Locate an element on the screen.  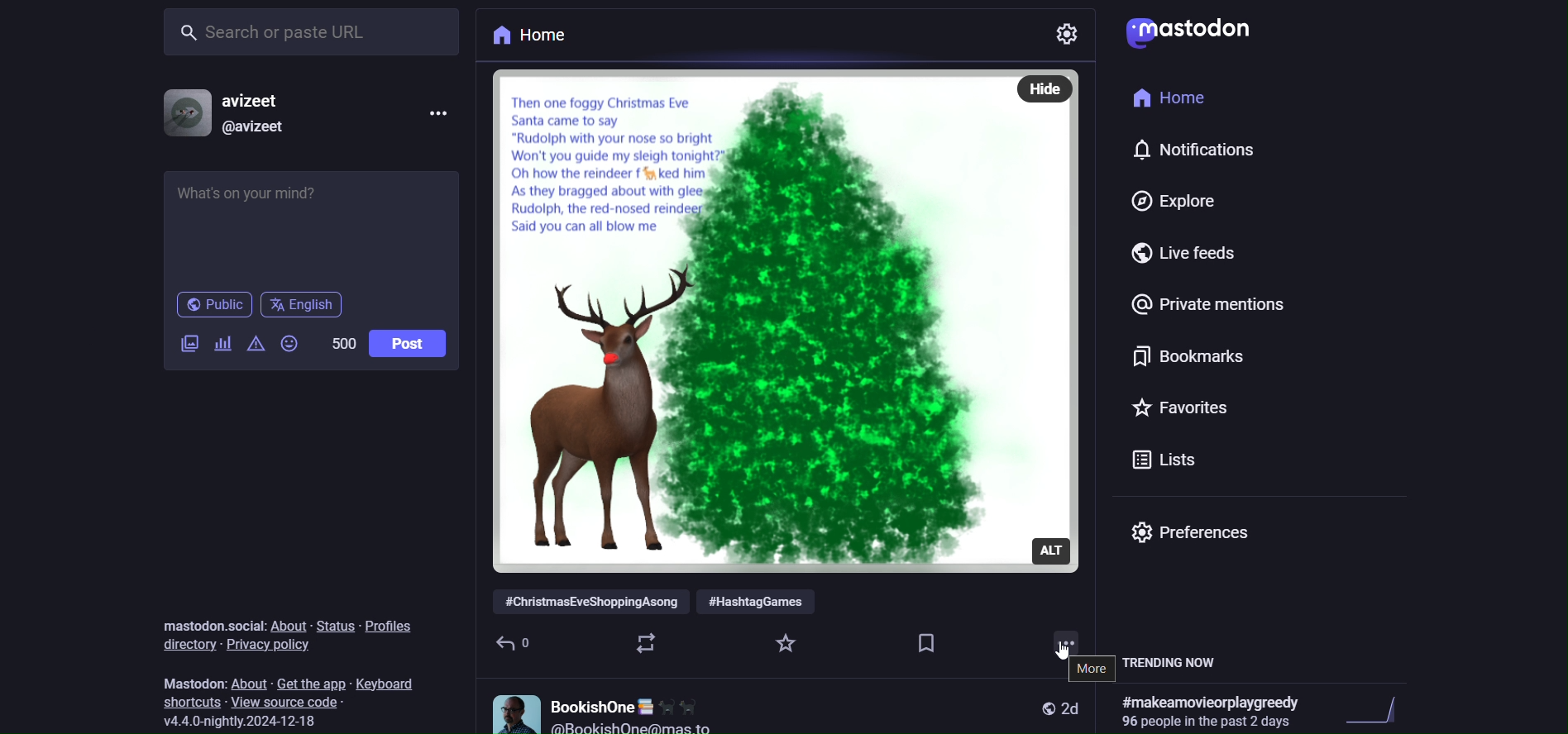
keyboard is located at coordinates (391, 685).